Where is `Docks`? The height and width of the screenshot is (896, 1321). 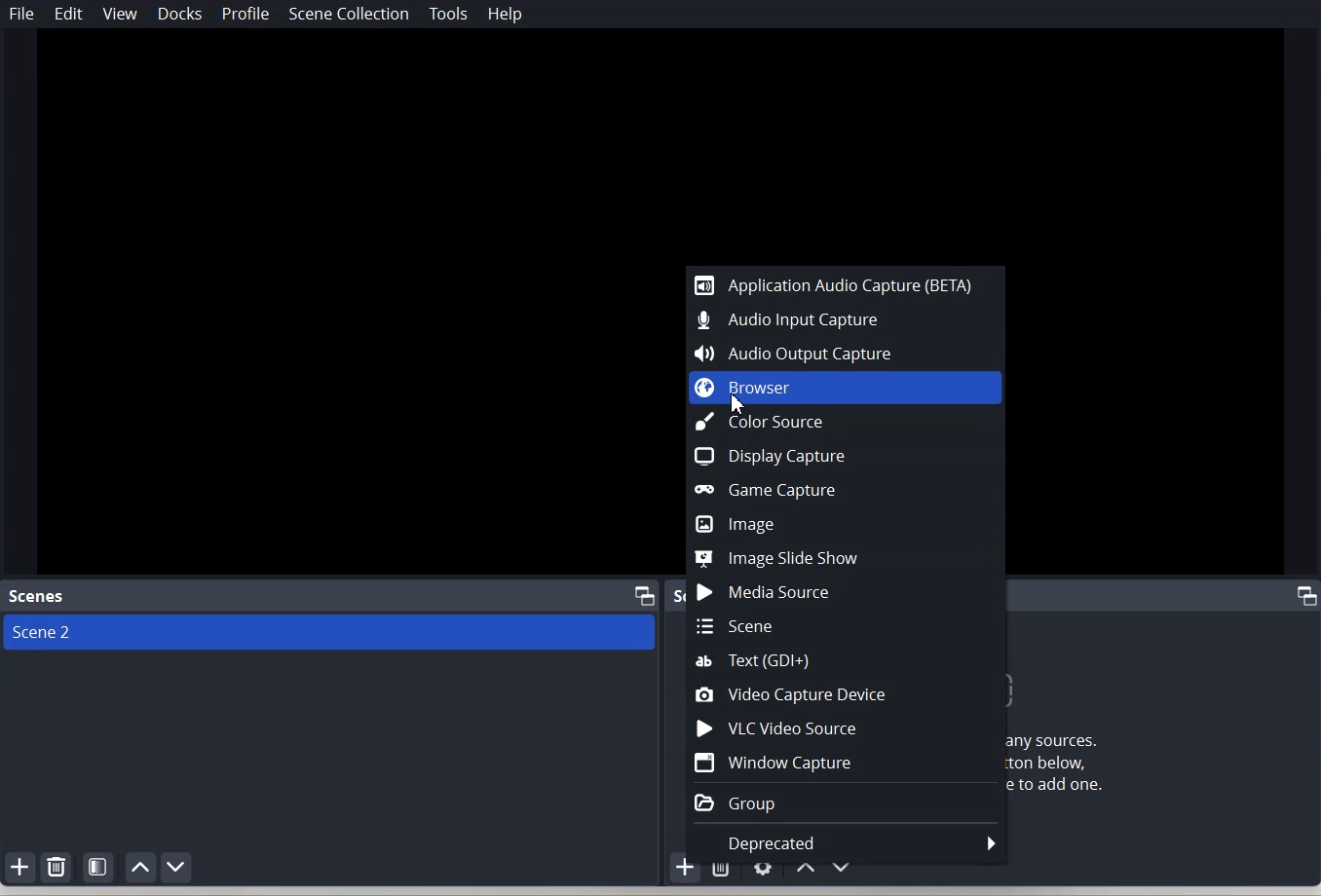 Docks is located at coordinates (182, 15).